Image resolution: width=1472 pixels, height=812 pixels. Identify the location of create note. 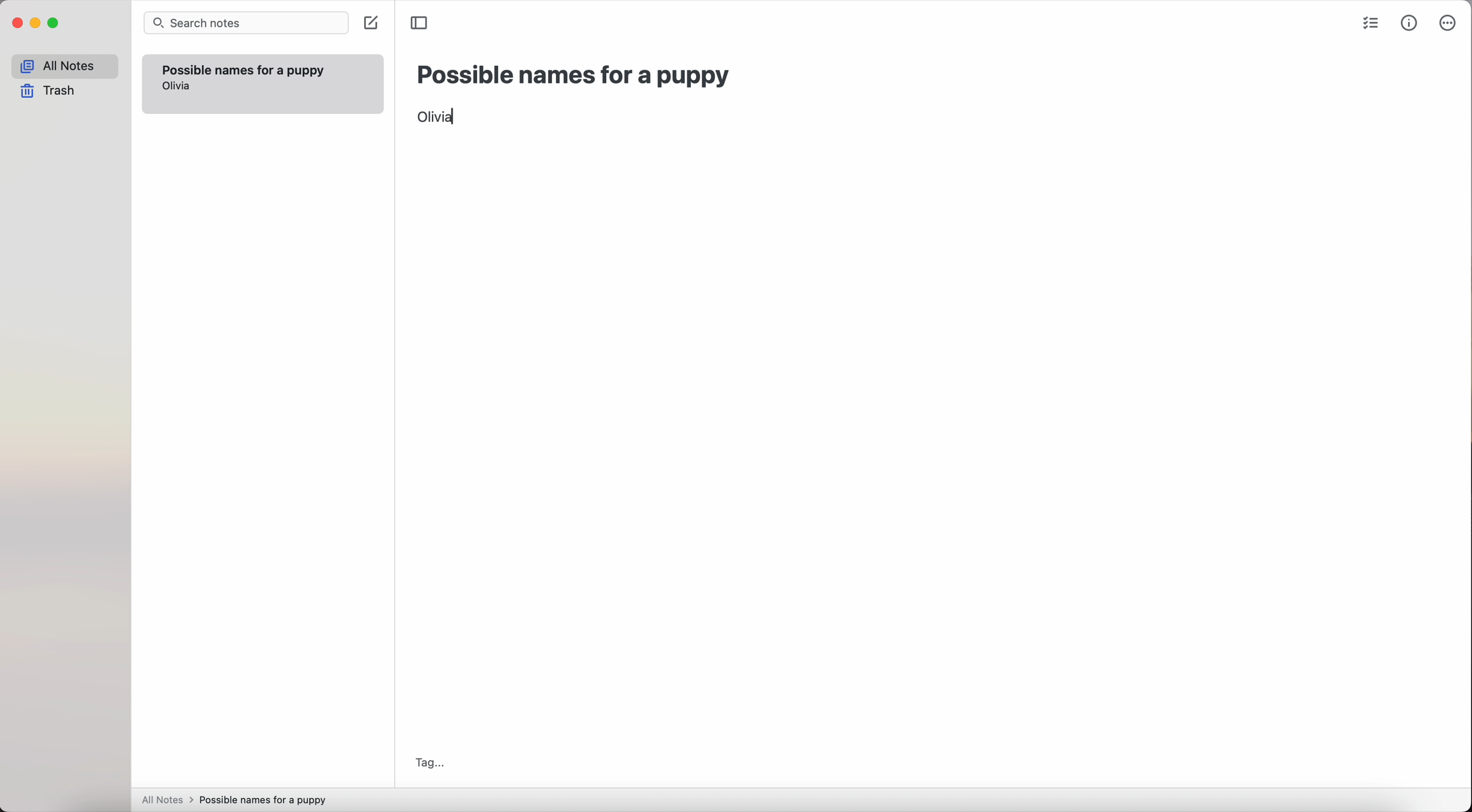
(370, 24).